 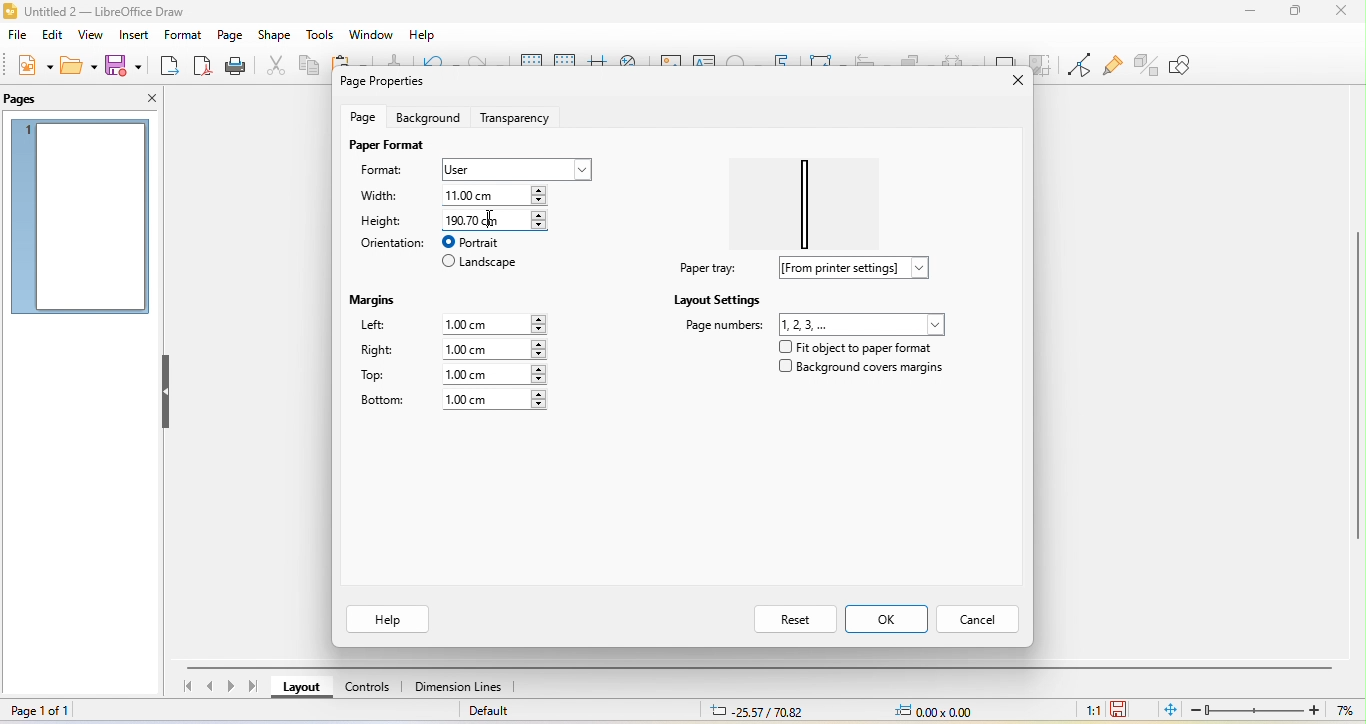 I want to click on open, so click(x=77, y=65).